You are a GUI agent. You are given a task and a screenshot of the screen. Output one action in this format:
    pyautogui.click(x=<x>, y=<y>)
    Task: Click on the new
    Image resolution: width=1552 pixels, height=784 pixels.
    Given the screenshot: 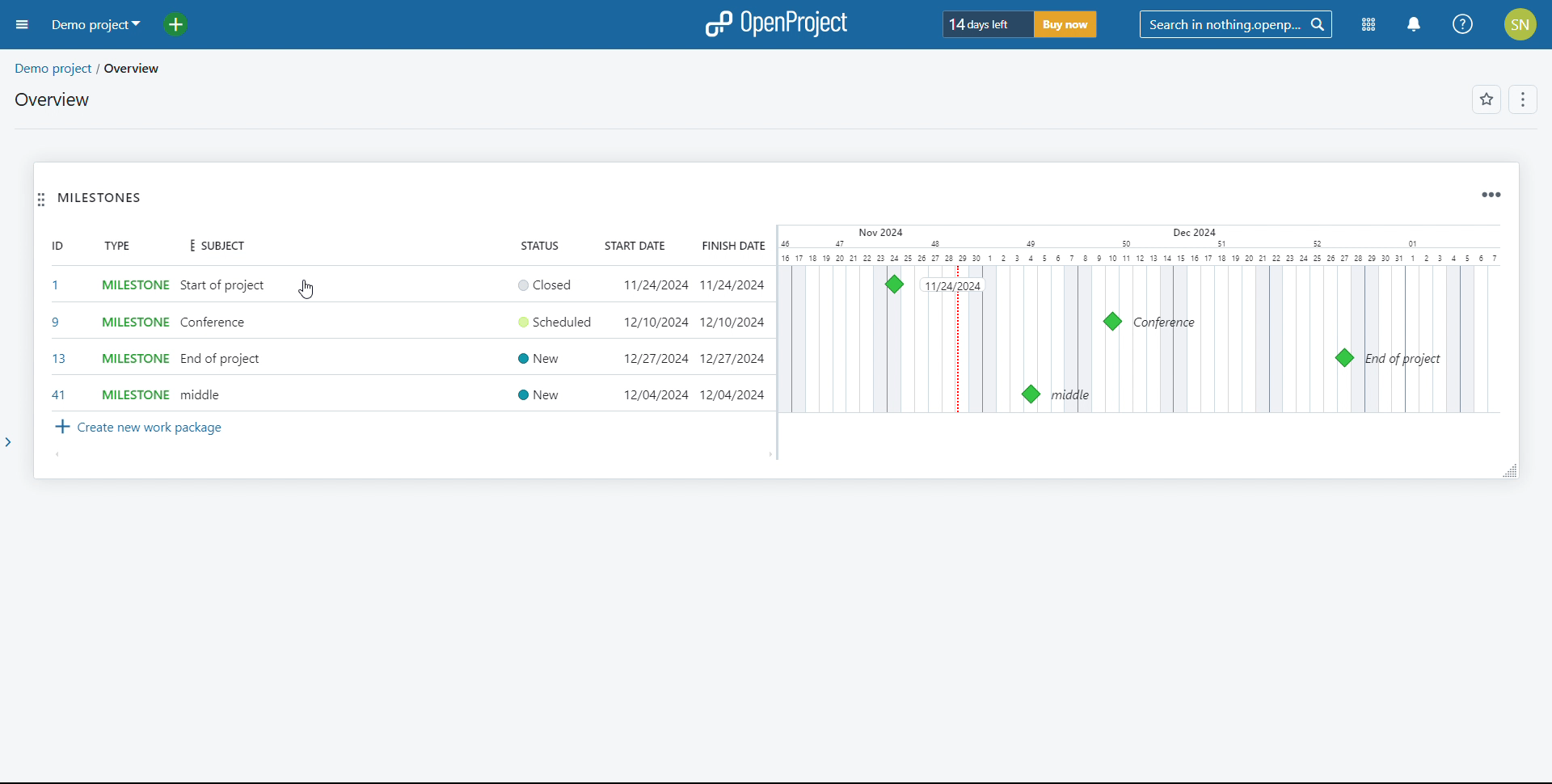 What is the action you would take?
    pyautogui.click(x=533, y=394)
    